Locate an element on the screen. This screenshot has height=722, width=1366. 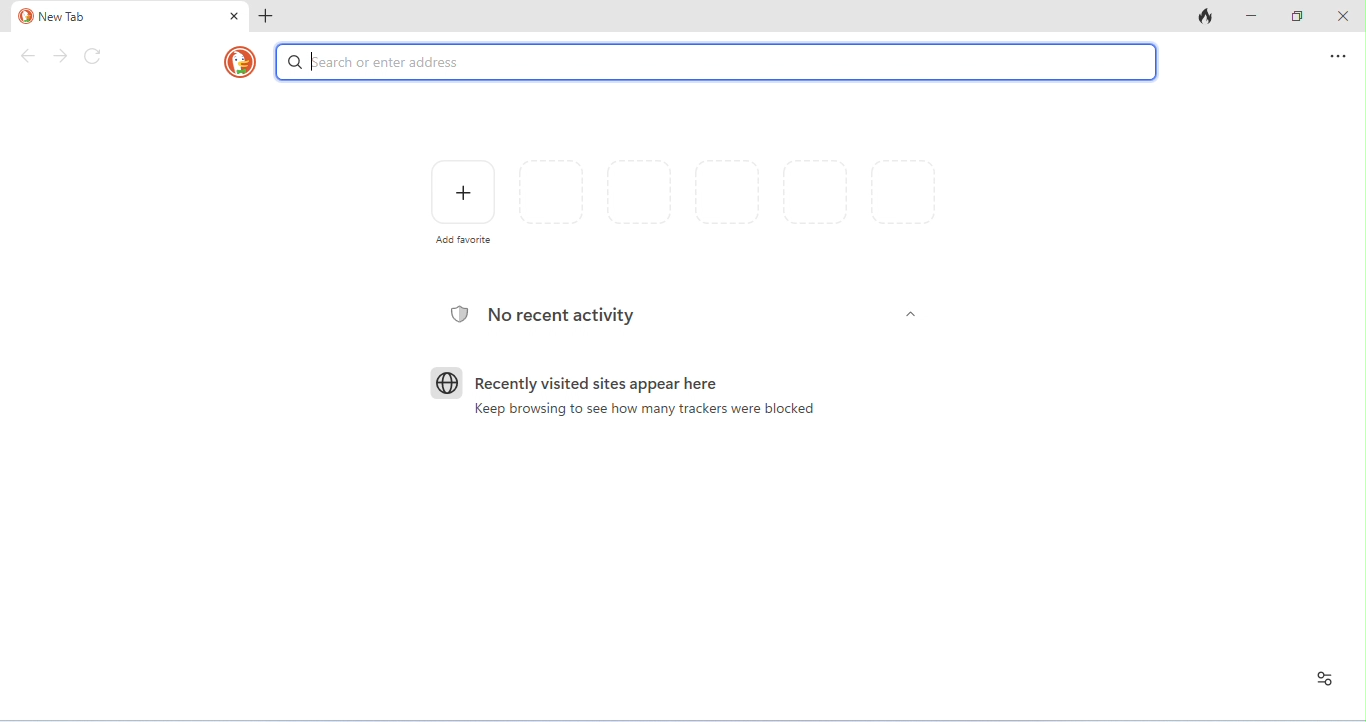
close tab is located at coordinates (266, 17).